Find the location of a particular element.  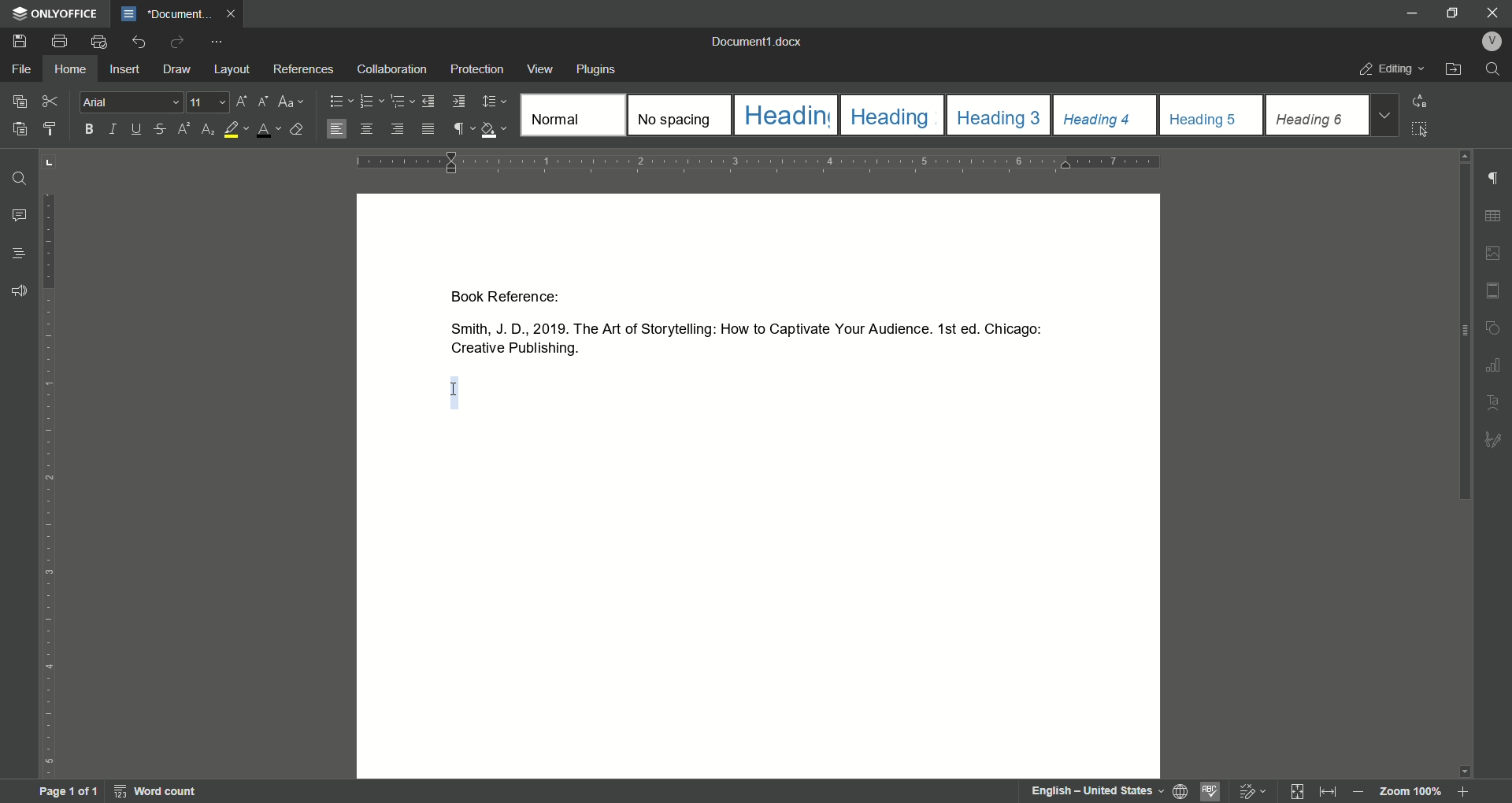

vertical orientation is located at coordinates (50, 465).